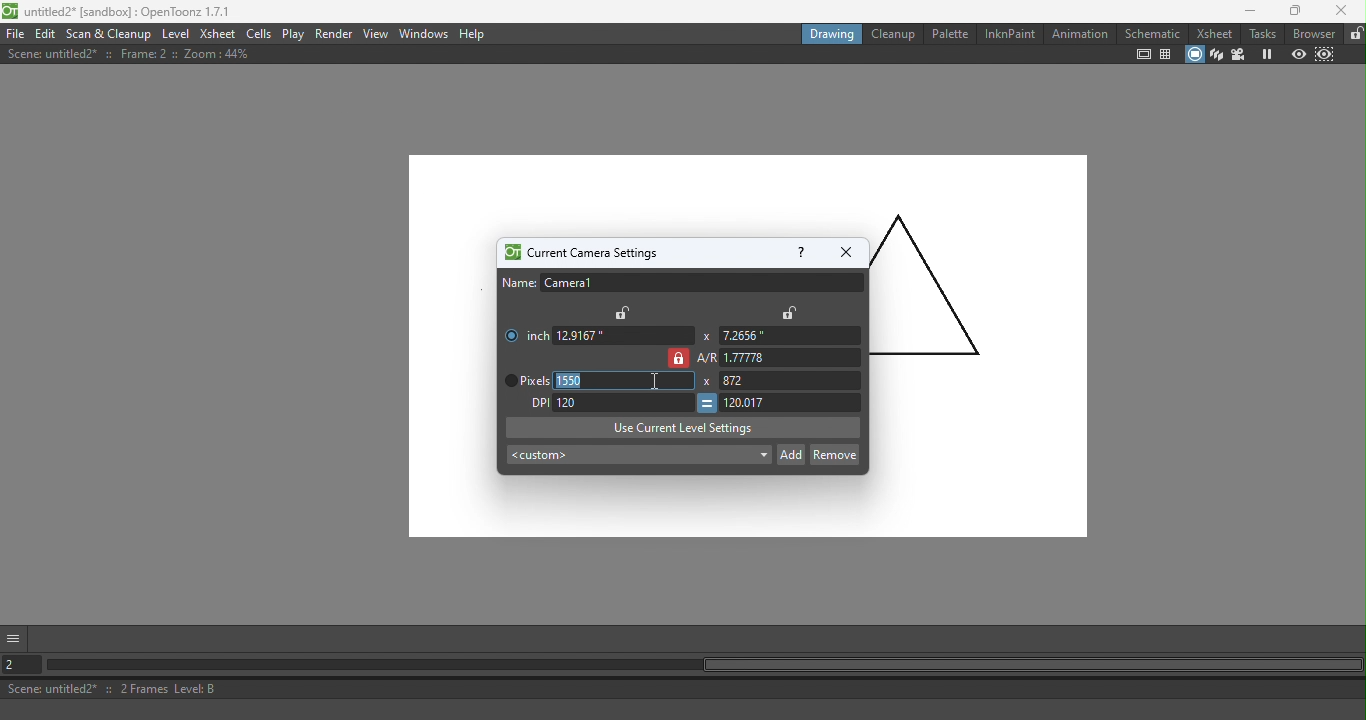  I want to click on Field guide, so click(1165, 55).